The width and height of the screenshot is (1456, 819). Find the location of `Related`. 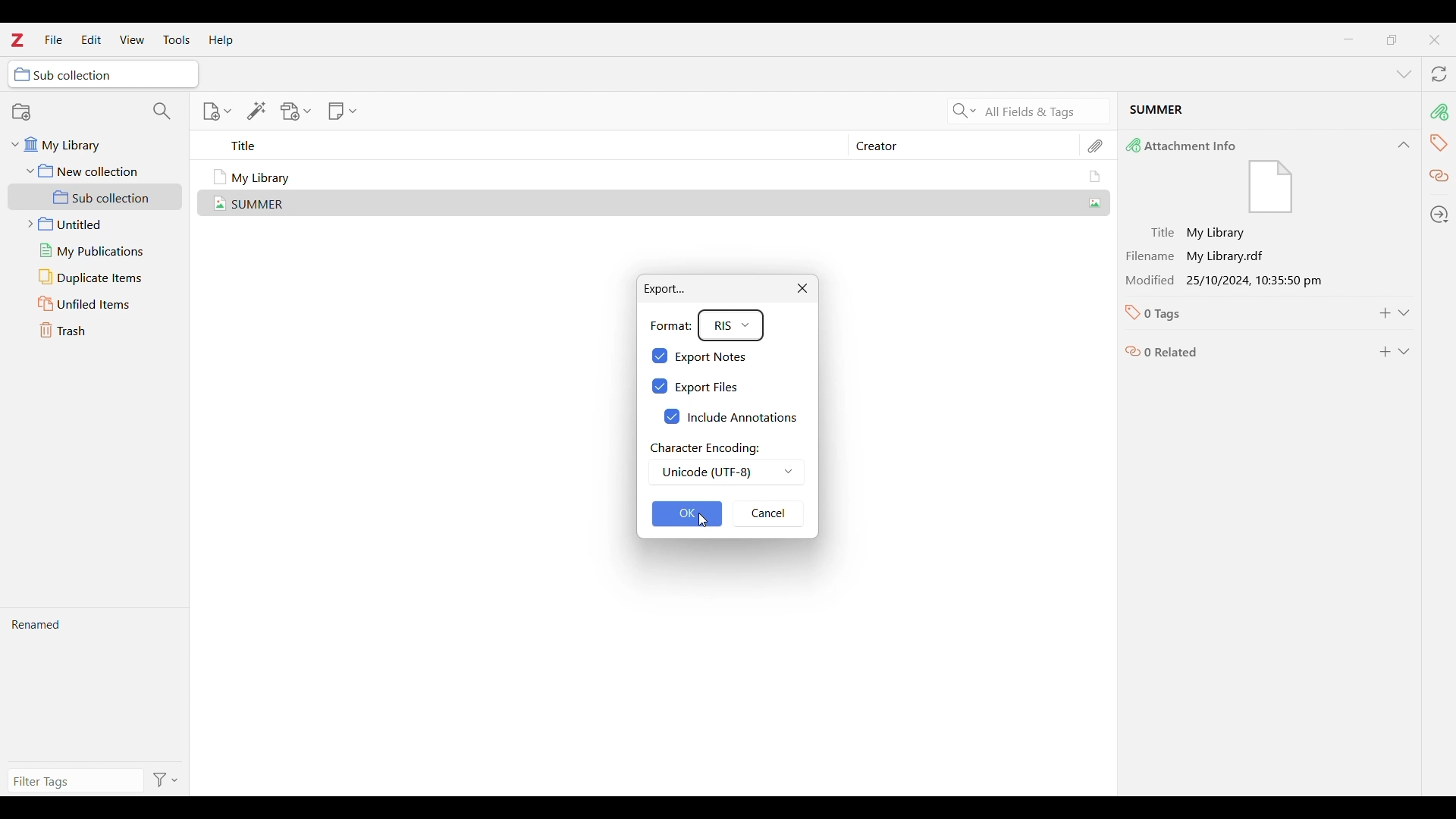

Related is located at coordinates (1439, 177).